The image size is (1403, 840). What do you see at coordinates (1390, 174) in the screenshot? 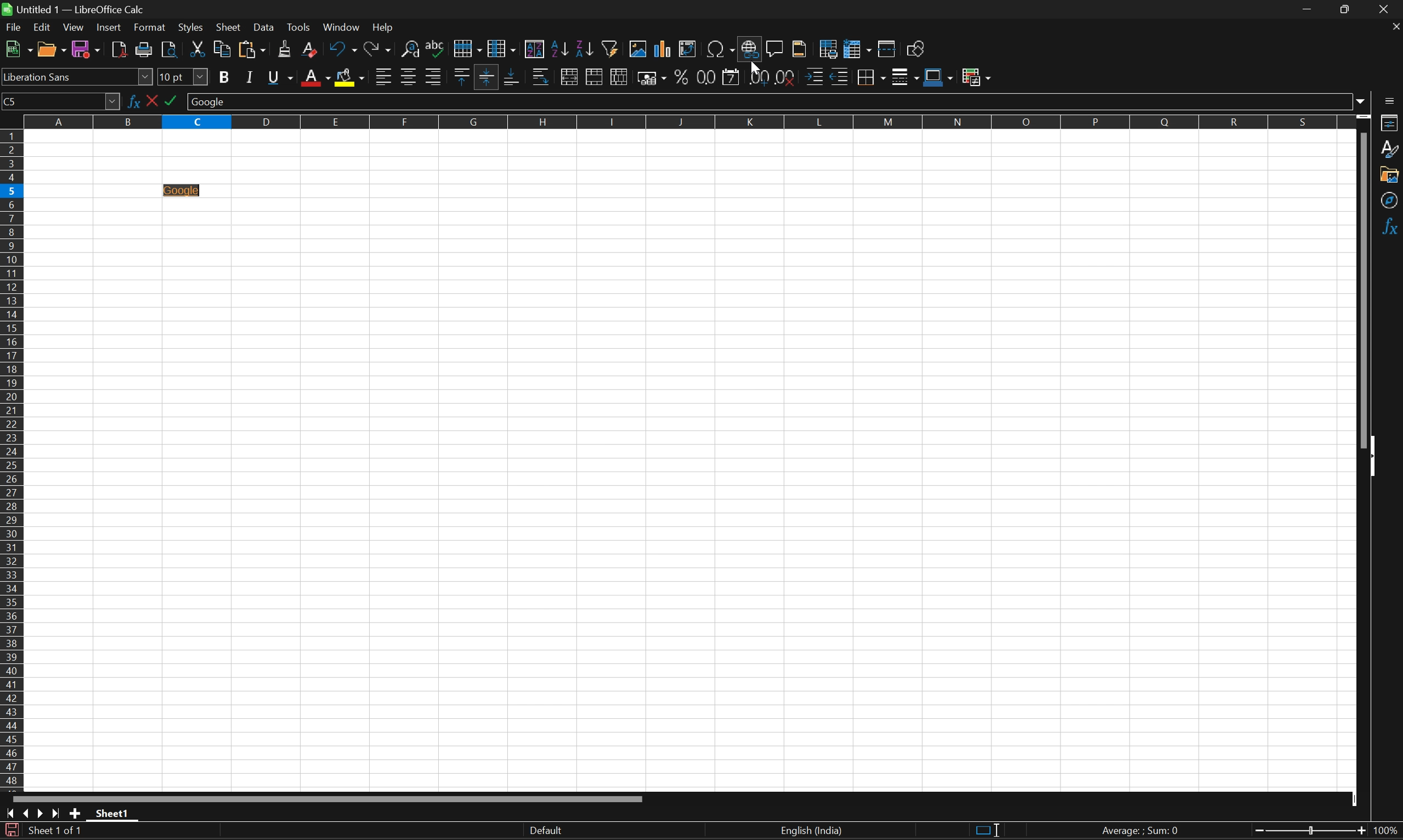
I see `Gallery` at bounding box center [1390, 174].